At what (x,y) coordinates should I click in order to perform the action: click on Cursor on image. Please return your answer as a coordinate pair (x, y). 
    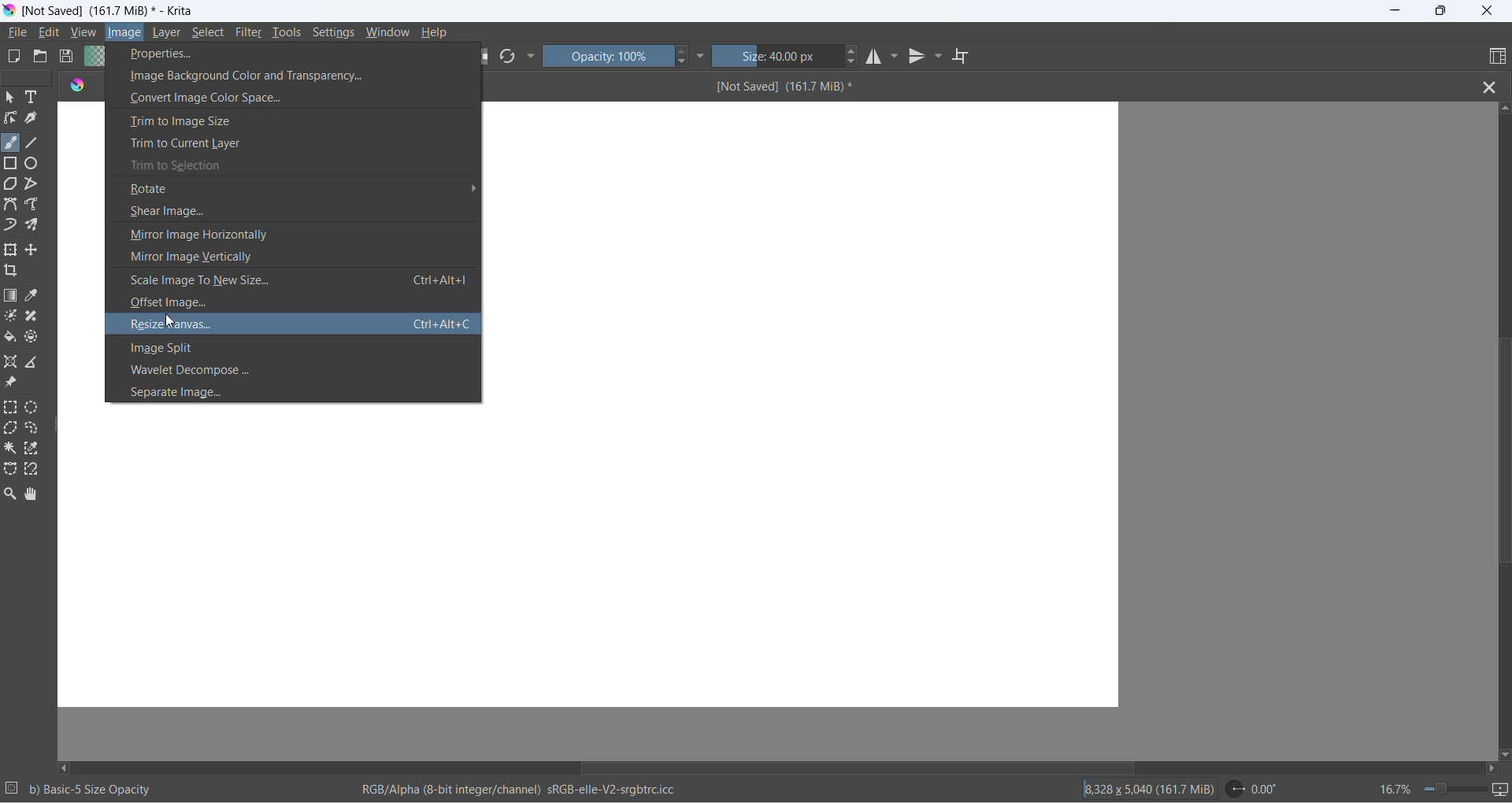
    Looking at the image, I should click on (129, 33).